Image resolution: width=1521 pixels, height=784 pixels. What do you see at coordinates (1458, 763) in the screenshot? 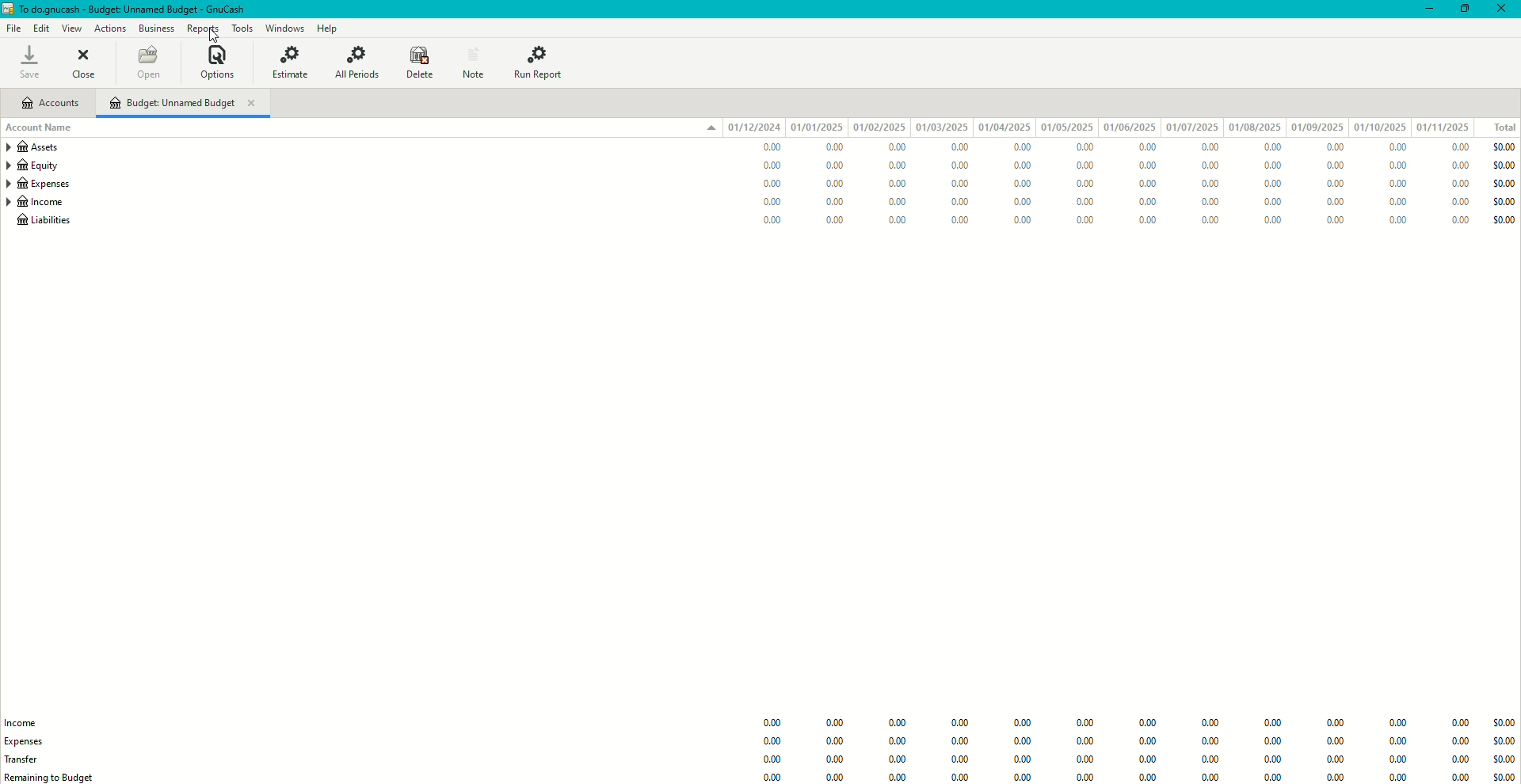
I see `0.00` at bounding box center [1458, 763].